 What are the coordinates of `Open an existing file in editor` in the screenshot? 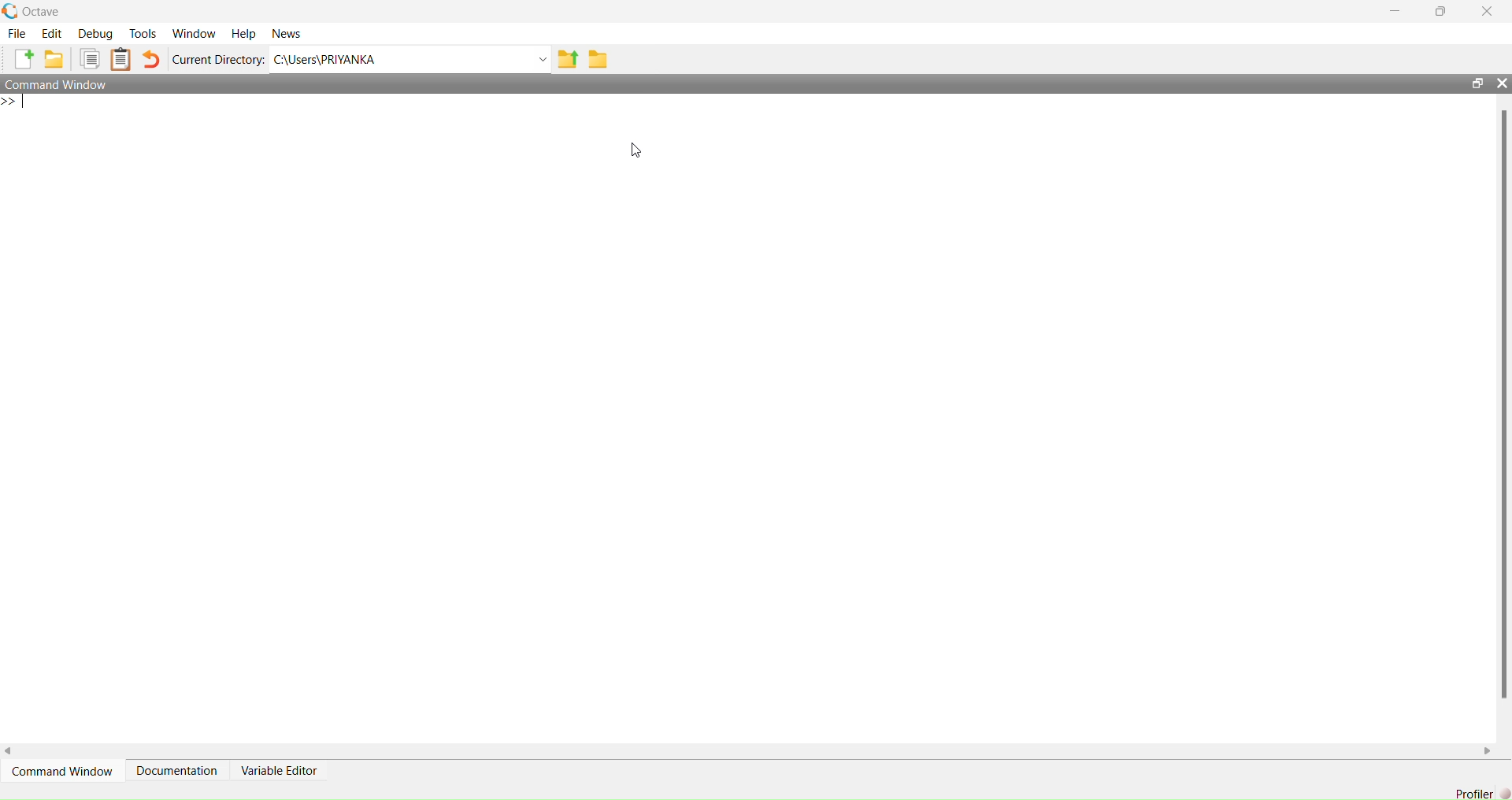 It's located at (54, 58).